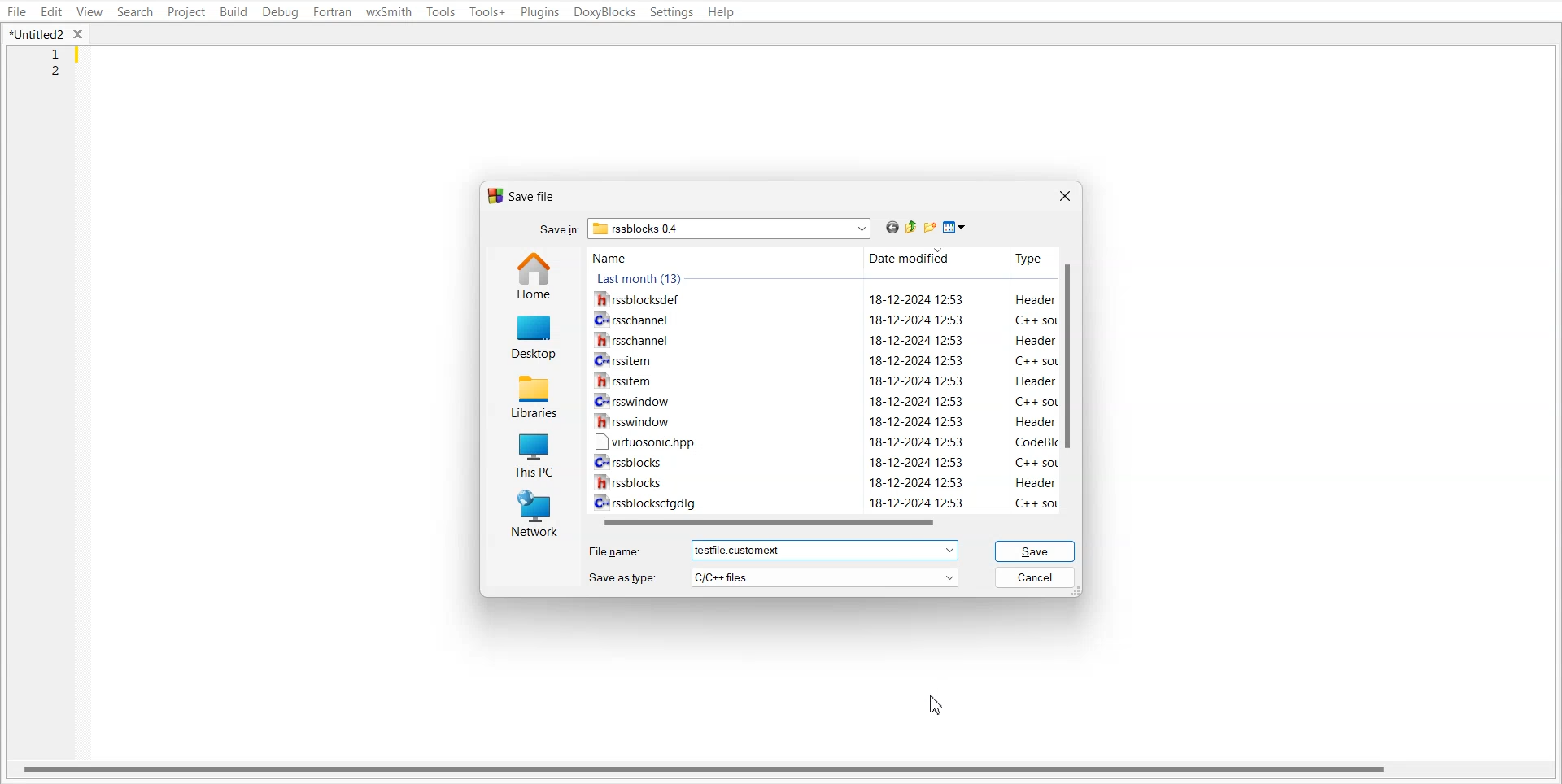  What do you see at coordinates (720, 257) in the screenshot?
I see `Name` at bounding box center [720, 257].